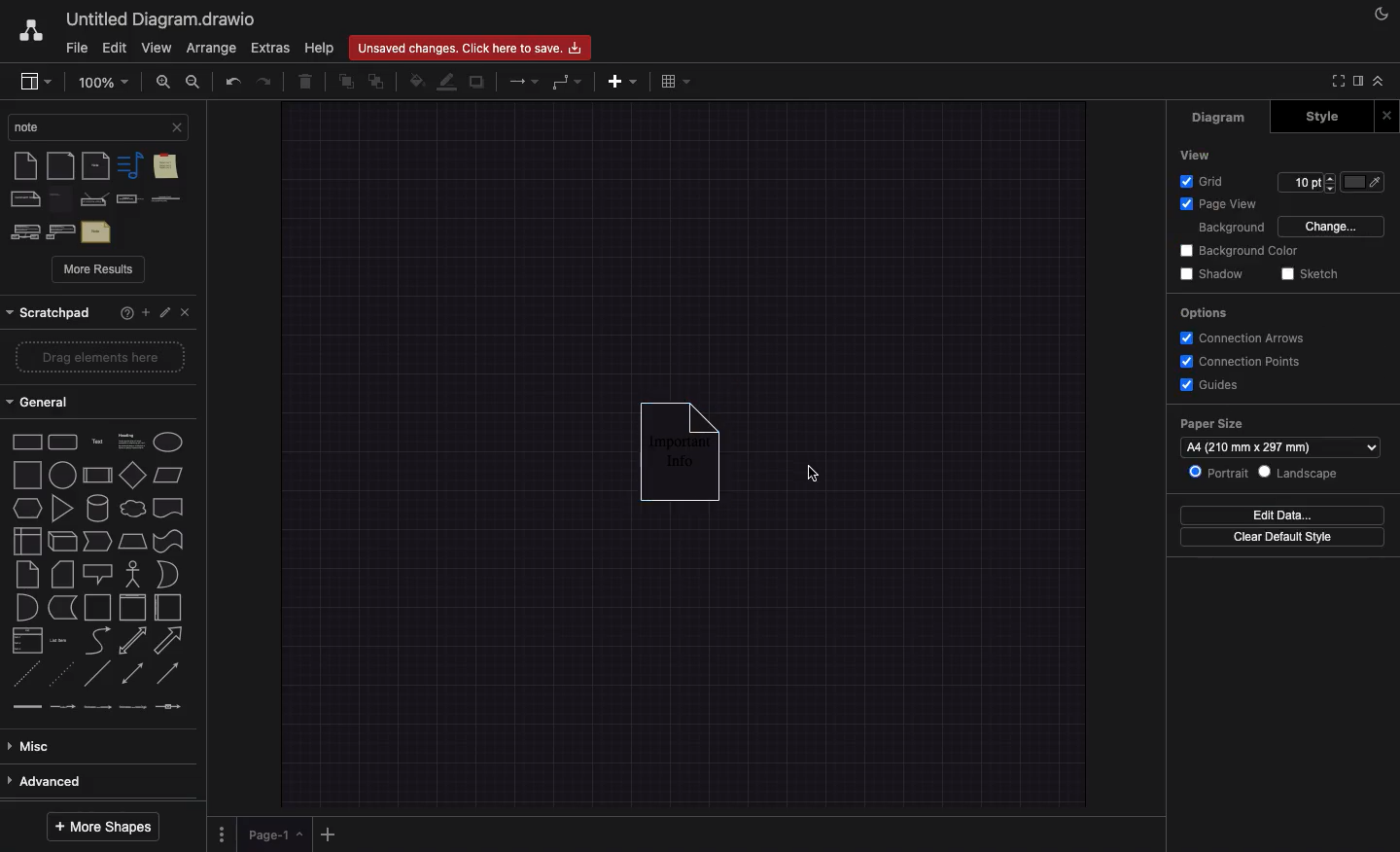 The image size is (1400, 852). What do you see at coordinates (135, 715) in the screenshot?
I see `connector with 3 label` at bounding box center [135, 715].